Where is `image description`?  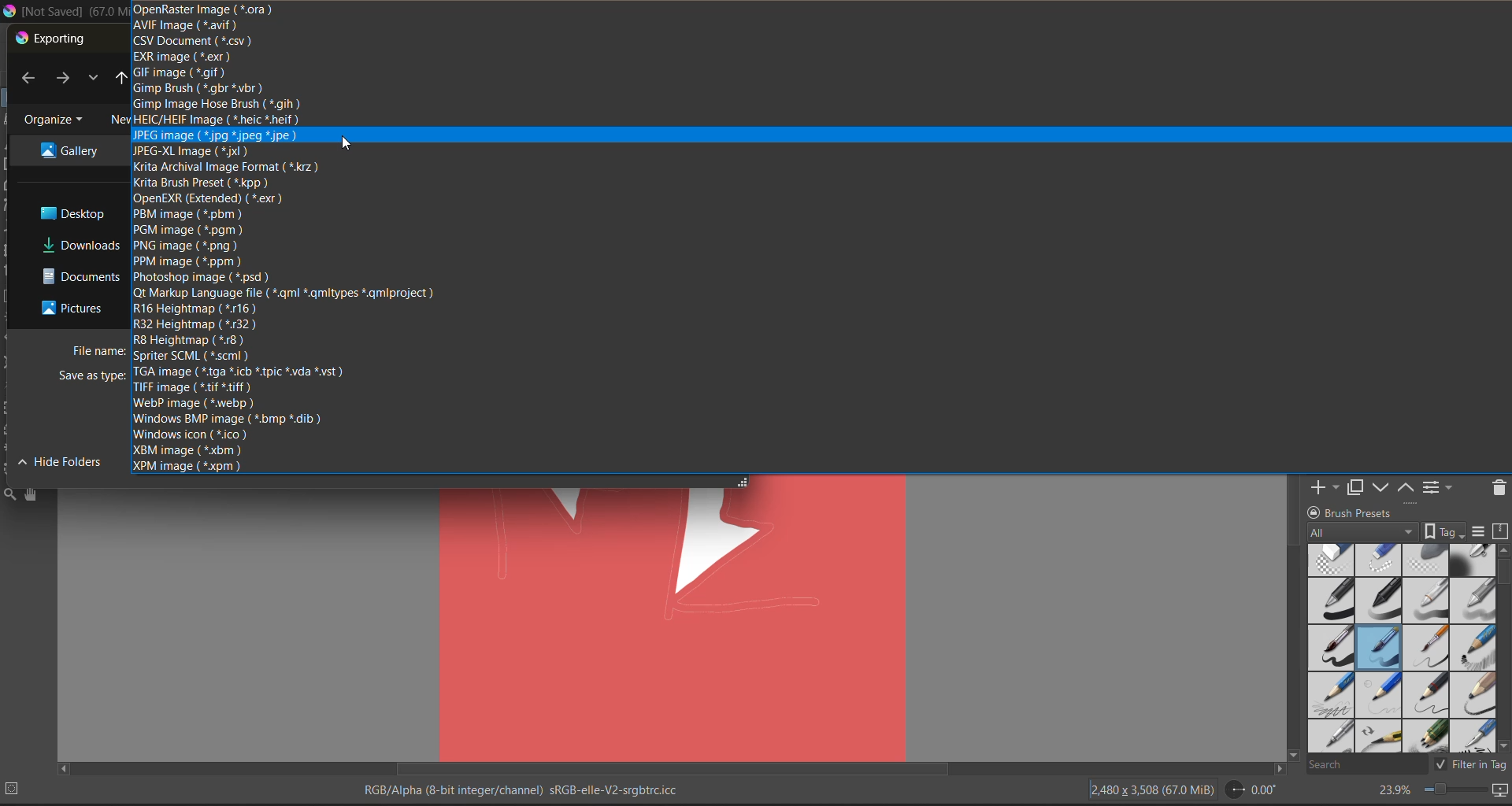
image description is located at coordinates (1155, 790).